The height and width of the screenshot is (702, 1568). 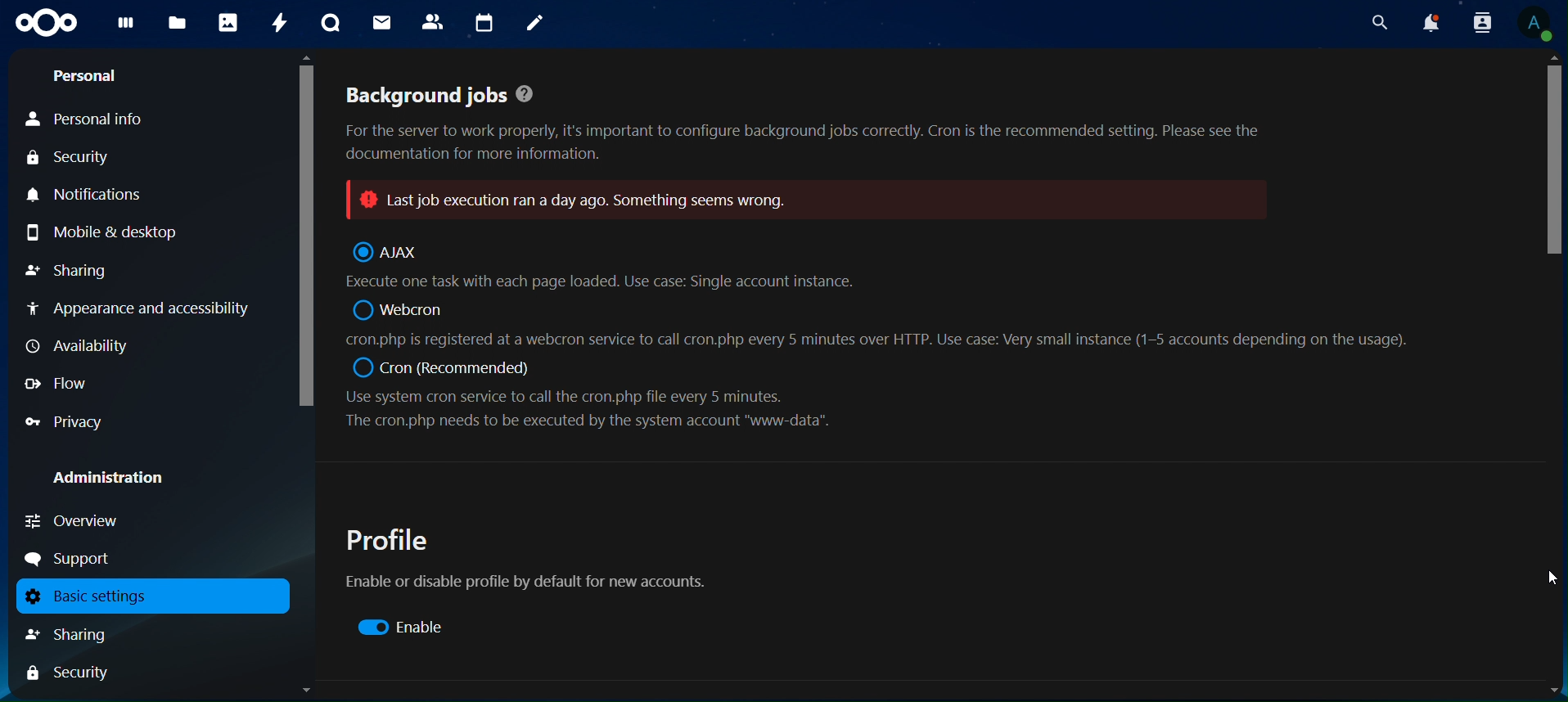 What do you see at coordinates (69, 674) in the screenshot?
I see `Security` at bounding box center [69, 674].